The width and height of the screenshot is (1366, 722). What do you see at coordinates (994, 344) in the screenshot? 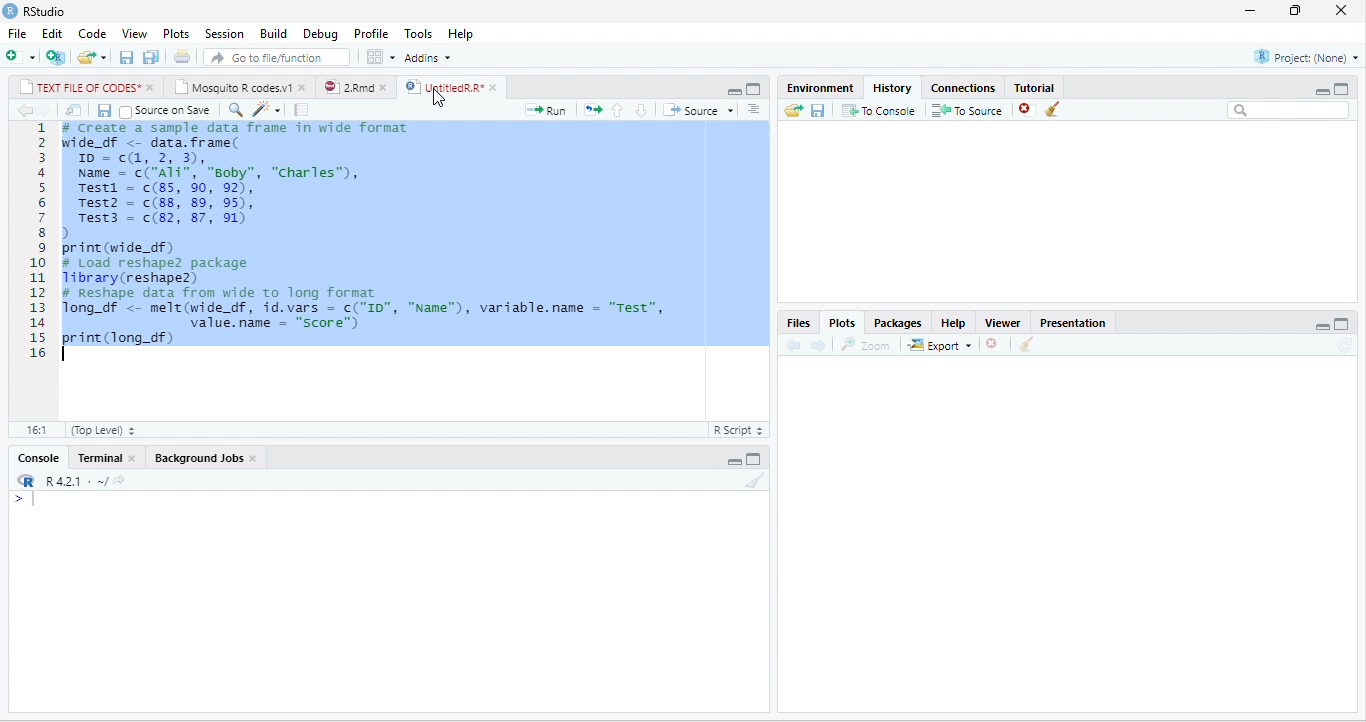
I see `close file` at bounding box center [994, 344].